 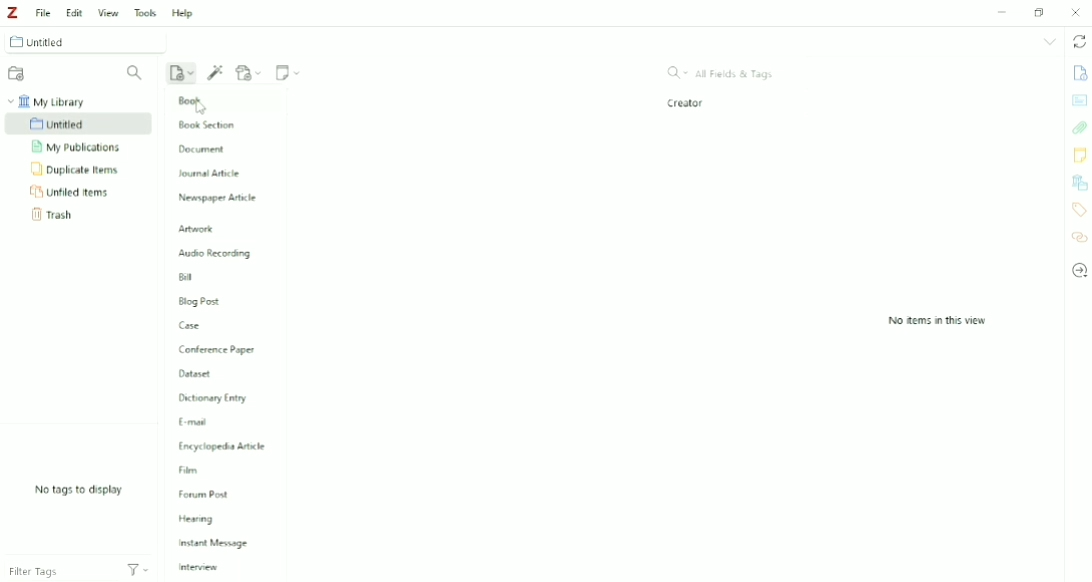 I want to click on Book Section, so click(x=206, y=126).